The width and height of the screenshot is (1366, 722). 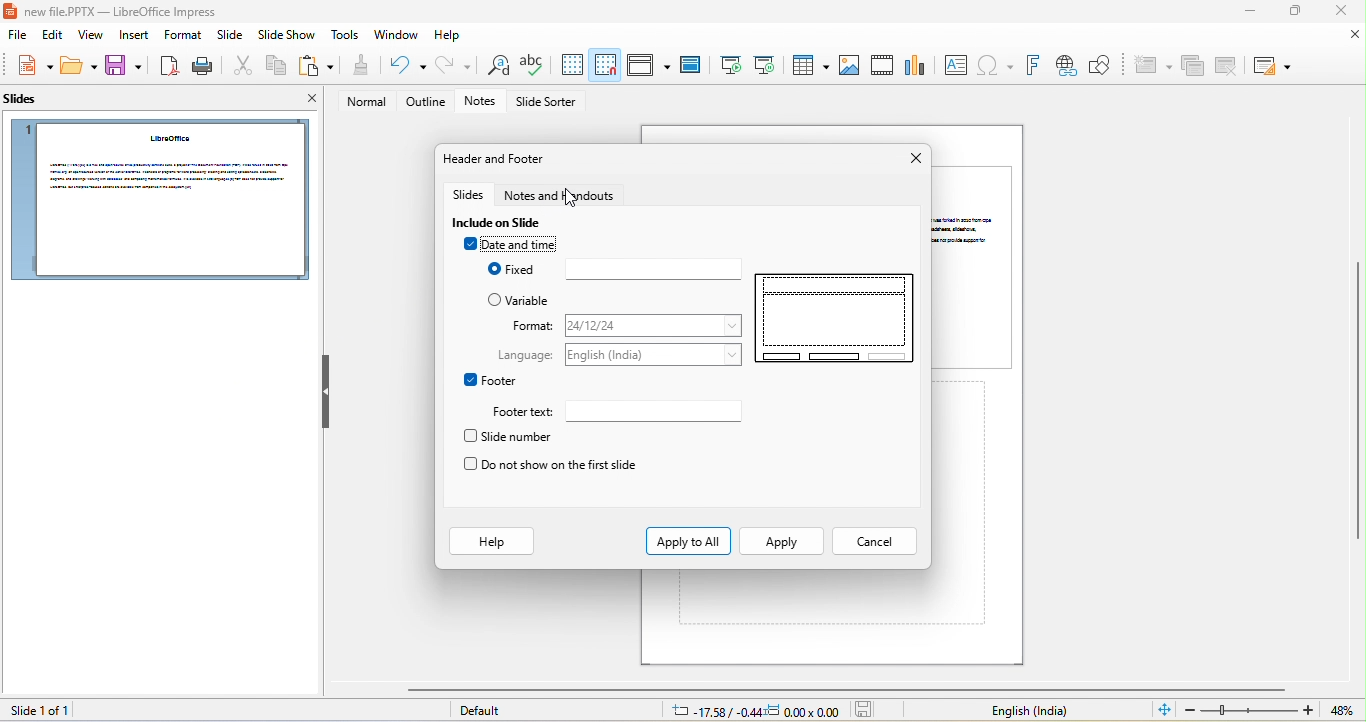 What do you see at coordinates (361, 102) in the screenshot?
I see `normal` at bounding box center [361, 102].